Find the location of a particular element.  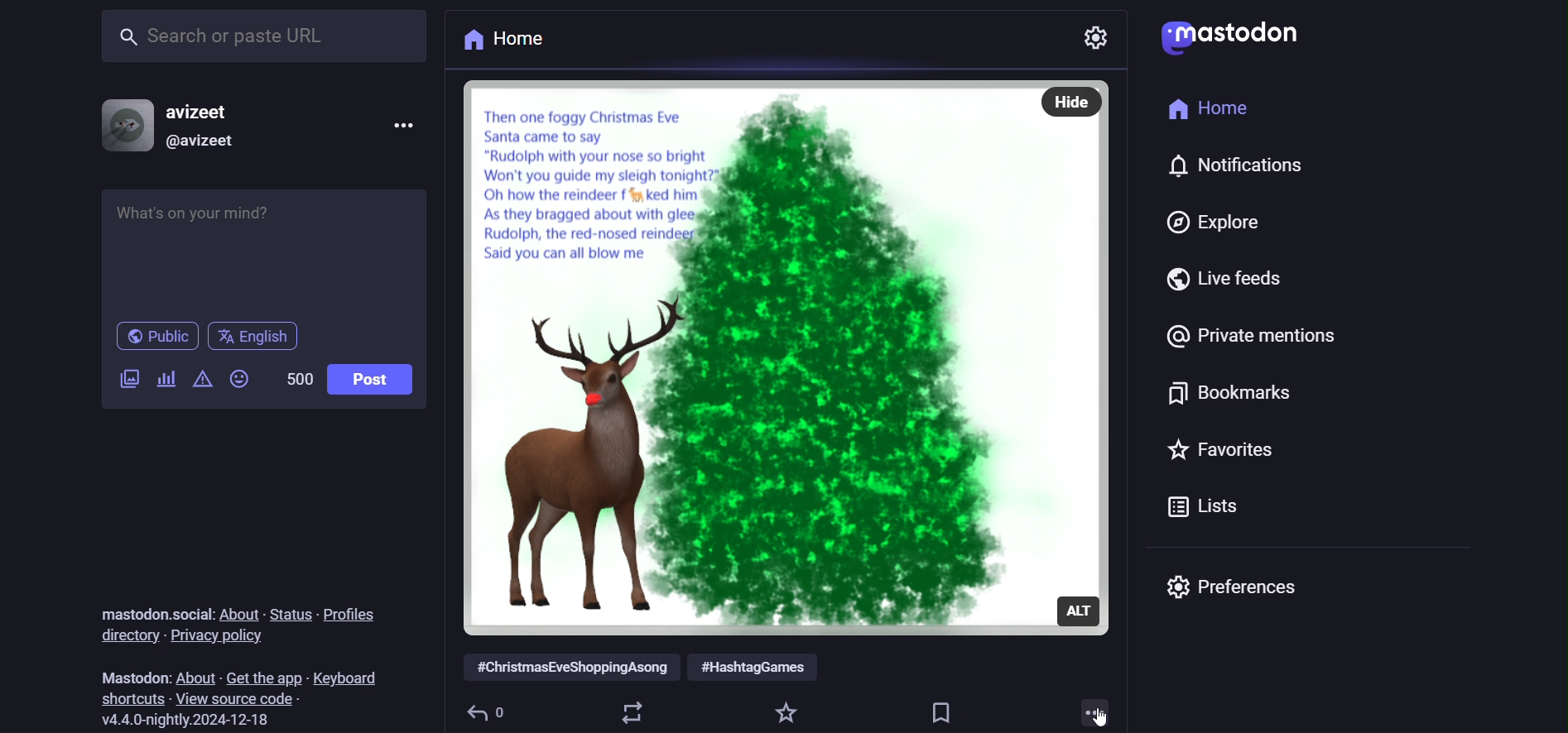

bookmark is located at coordinates (1227, 392).